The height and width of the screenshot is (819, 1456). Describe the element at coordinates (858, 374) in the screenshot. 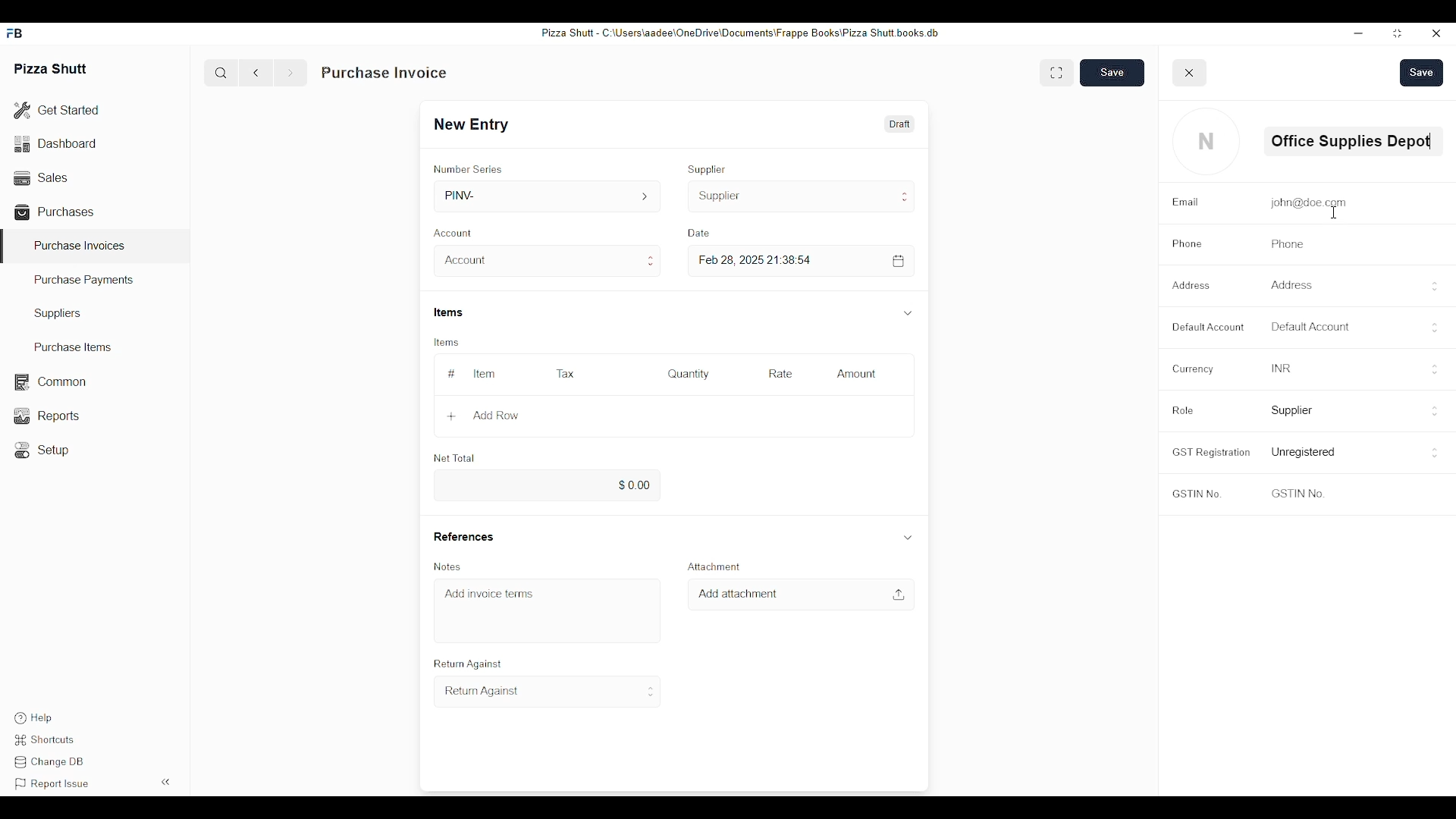

I see `Amount` at that location.